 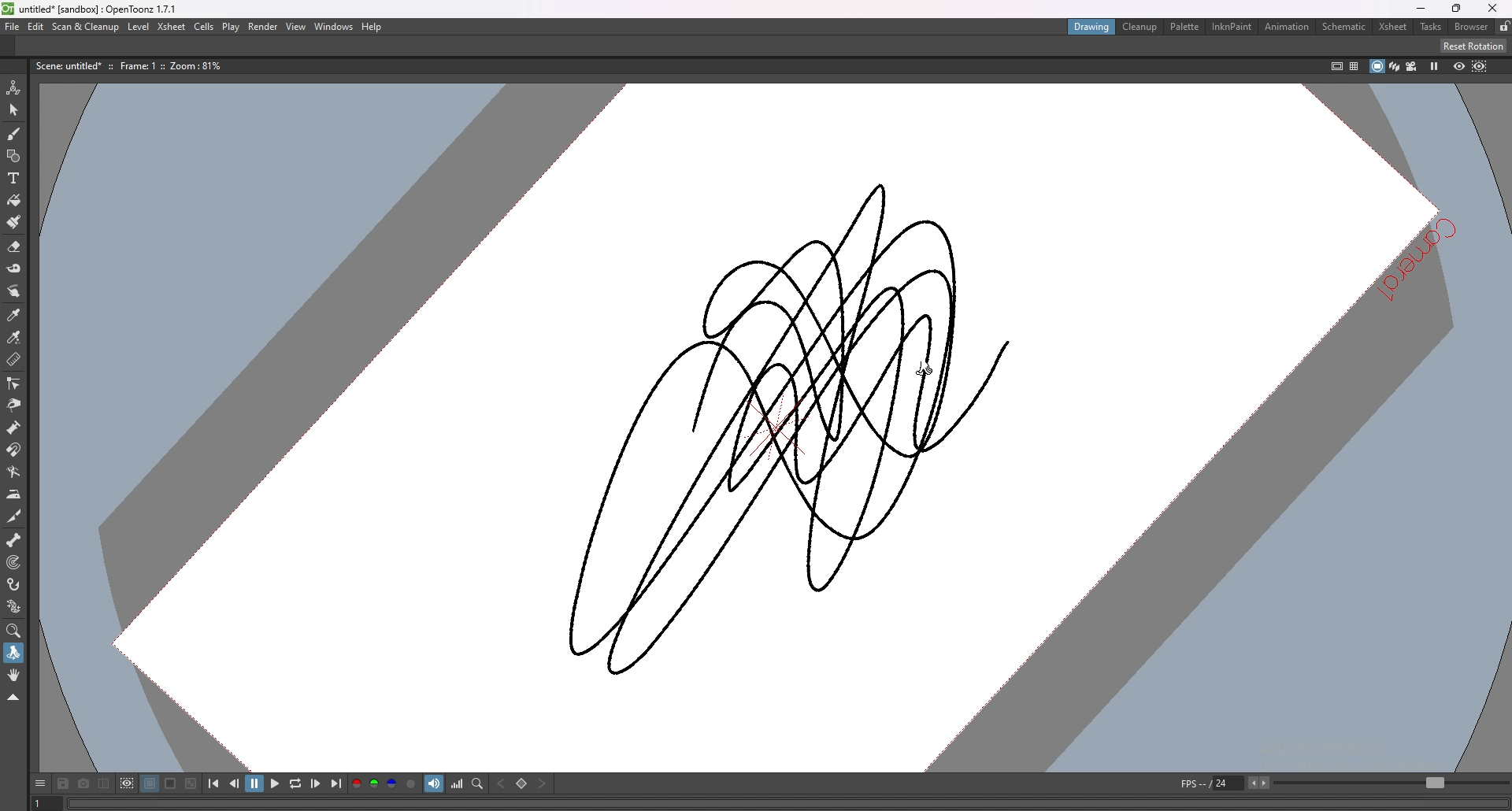 What do you see at coordinates (12, 562) in the screenshot?
I see `target` at bounding box center [12, 562].